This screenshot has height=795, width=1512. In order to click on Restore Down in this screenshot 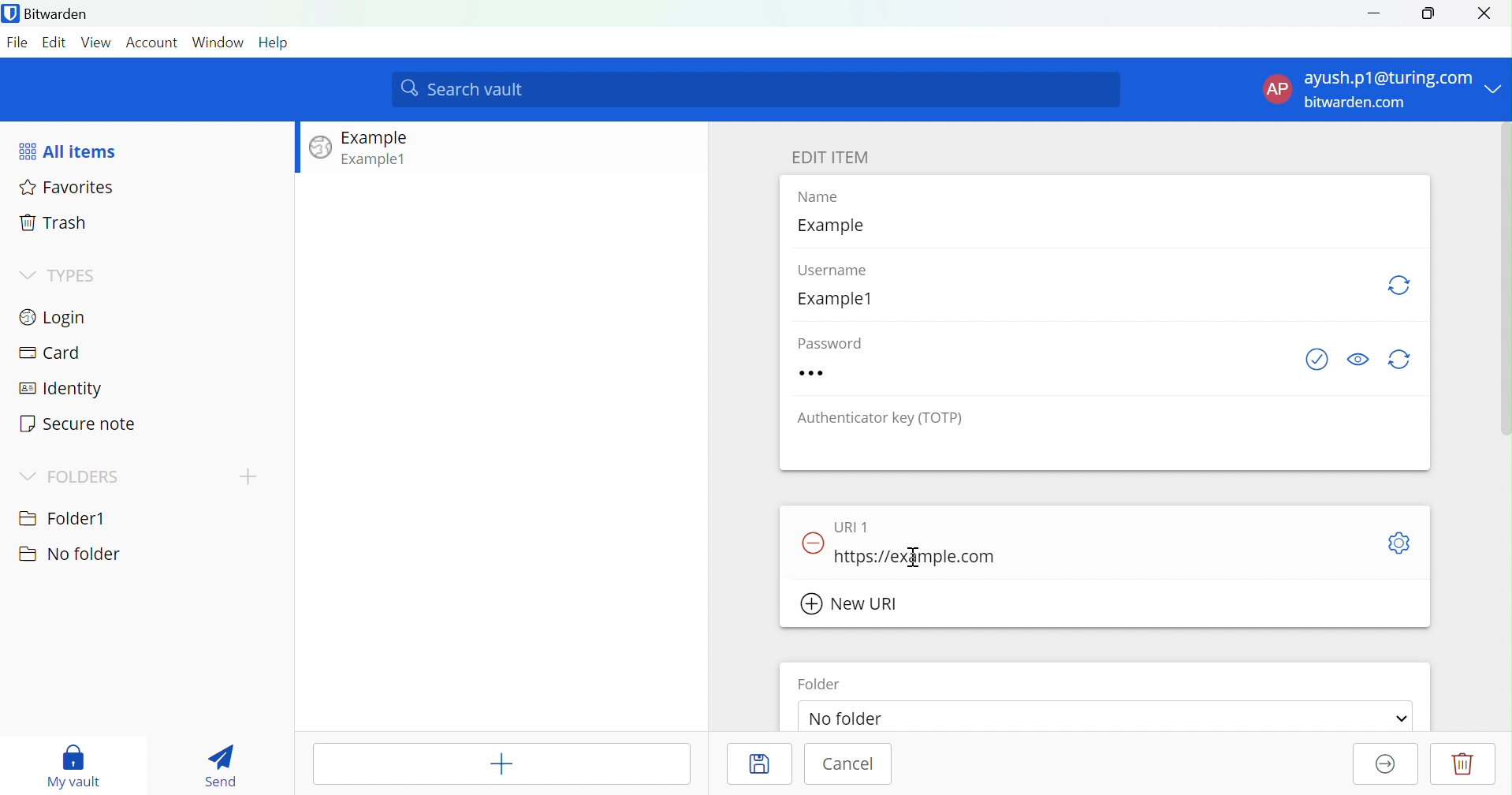, I will do `click(1428, 13)`.